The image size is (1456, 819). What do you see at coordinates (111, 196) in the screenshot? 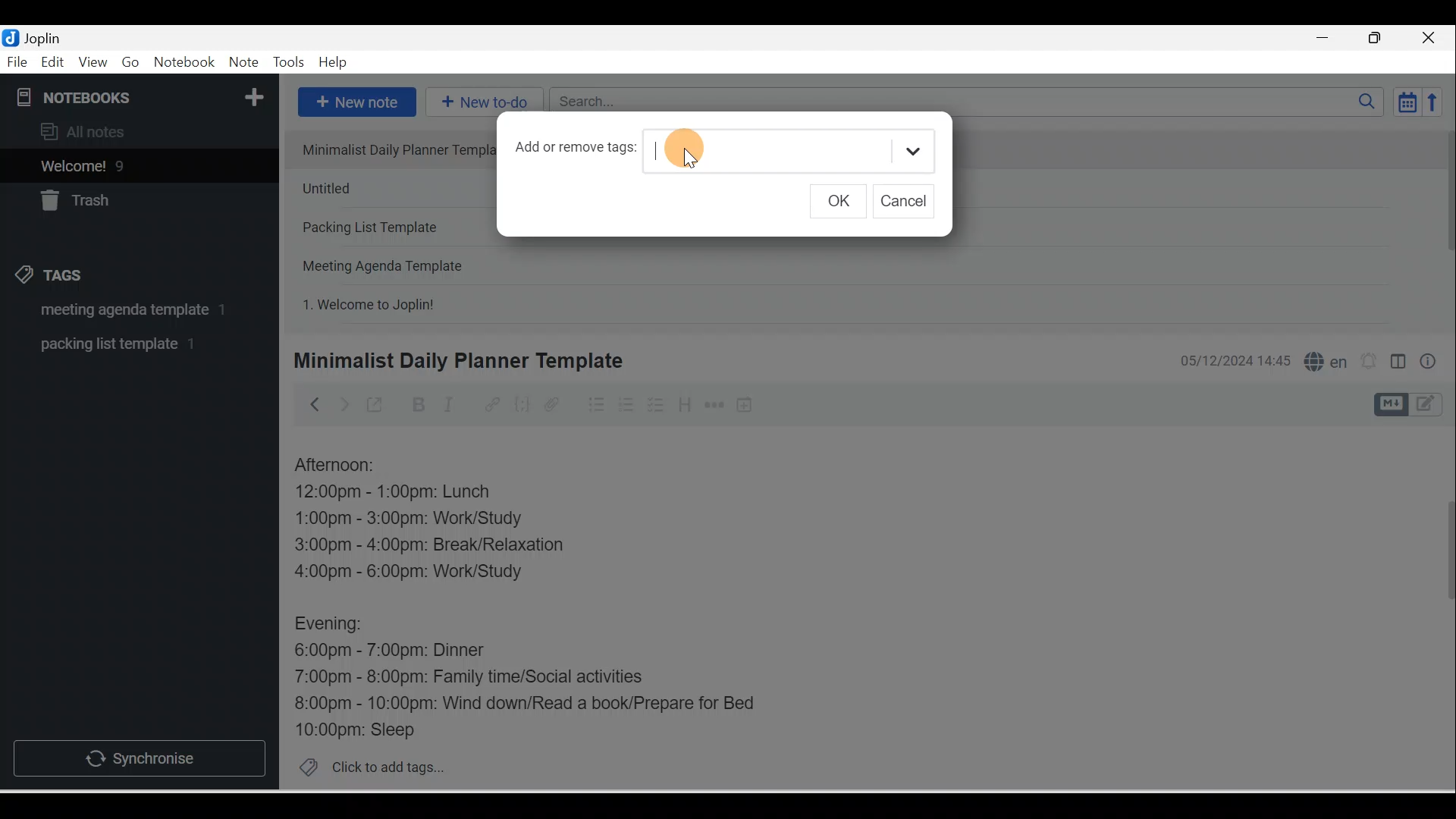
I see `Trash` at bounding box center [111, 196].